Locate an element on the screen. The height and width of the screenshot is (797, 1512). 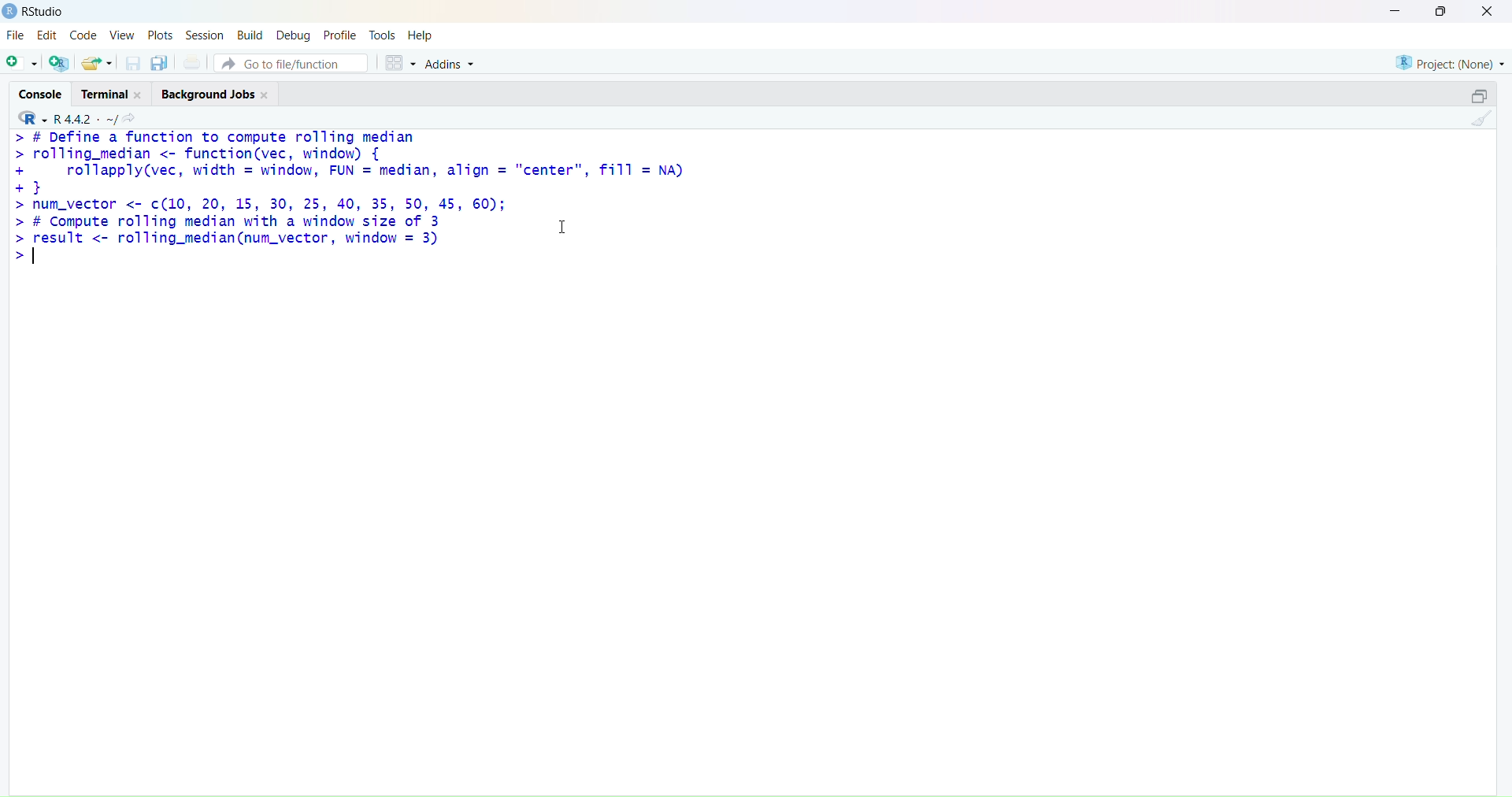
save is located at coordinates (135, 63).